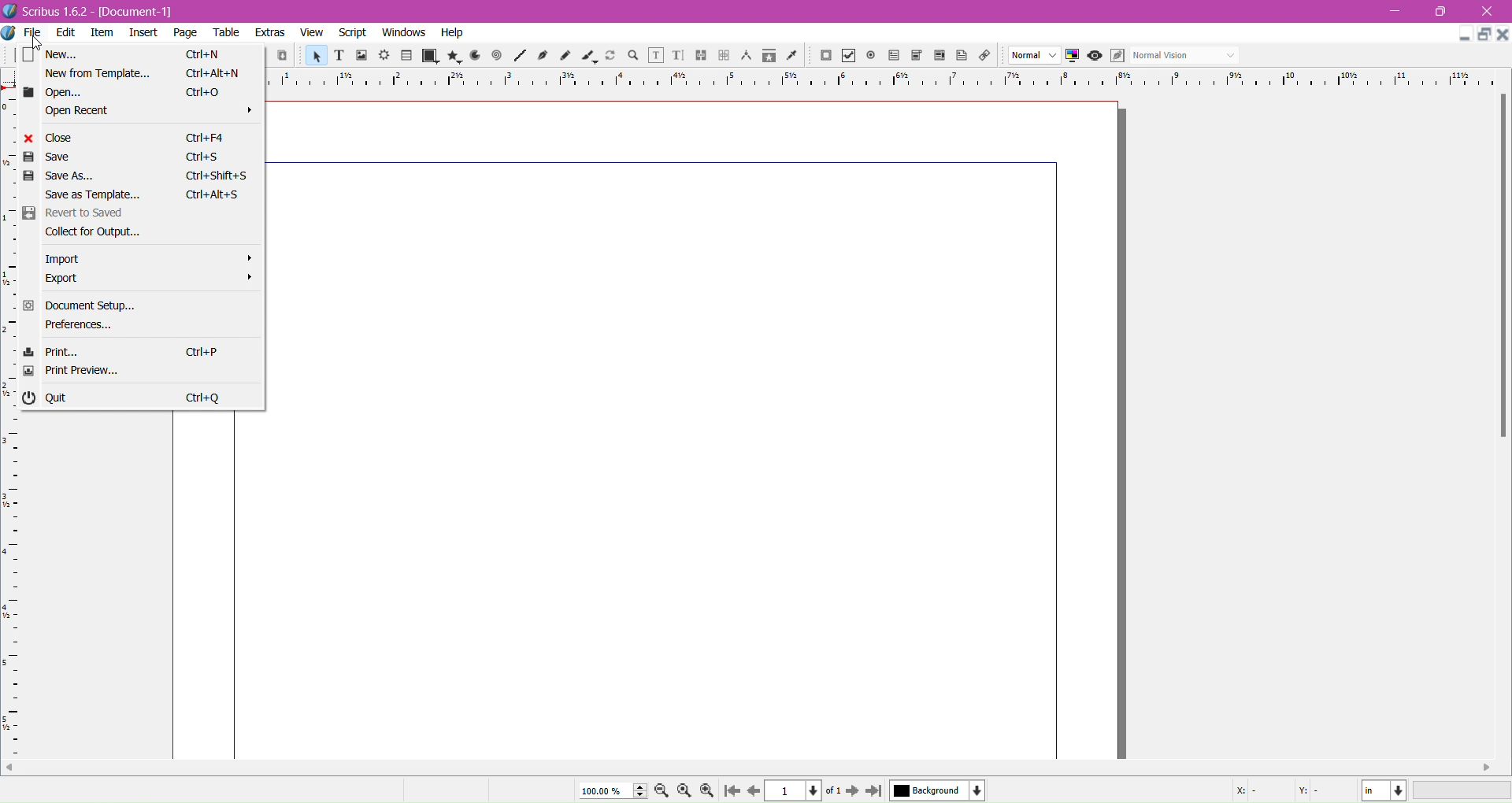 The width and height of the screenshot is (1512, 803). I want to click on minimize, so click(1399, 13).